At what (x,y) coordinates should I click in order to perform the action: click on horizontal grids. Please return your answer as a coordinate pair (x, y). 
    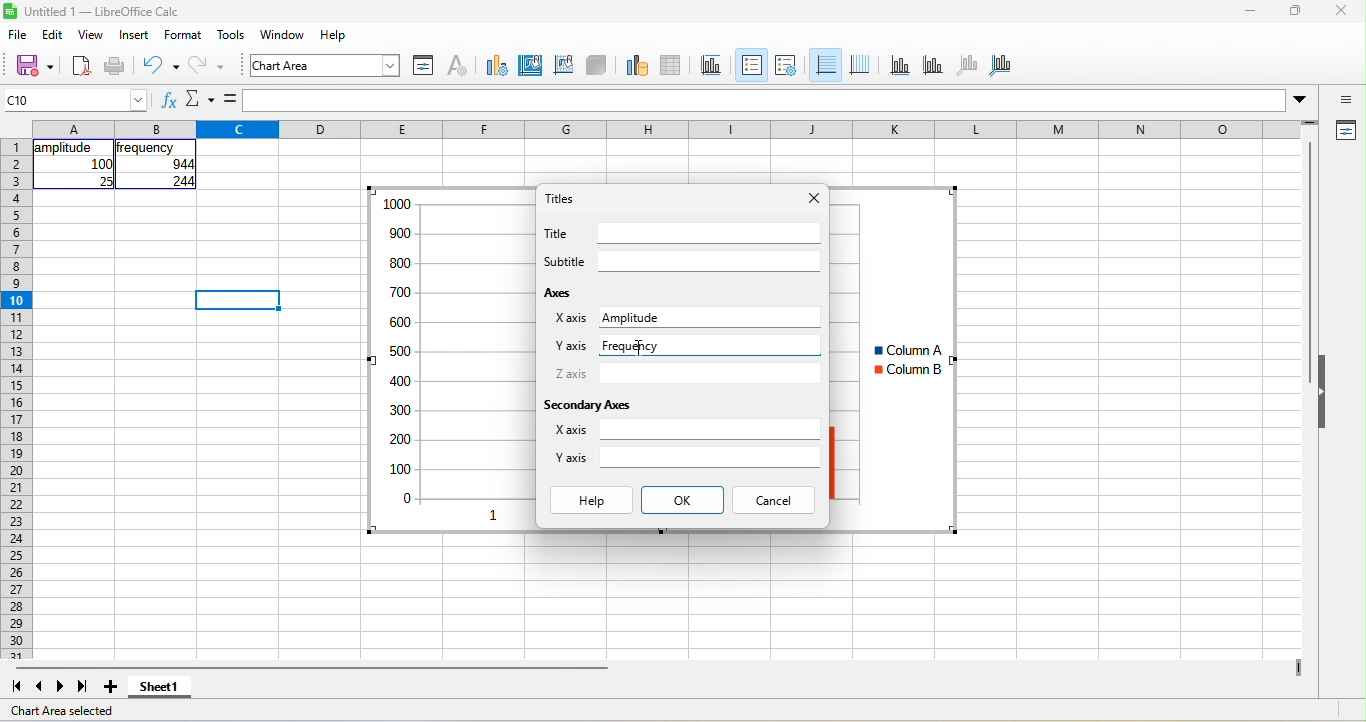
    Looking at the image, I should click on (825, 65).